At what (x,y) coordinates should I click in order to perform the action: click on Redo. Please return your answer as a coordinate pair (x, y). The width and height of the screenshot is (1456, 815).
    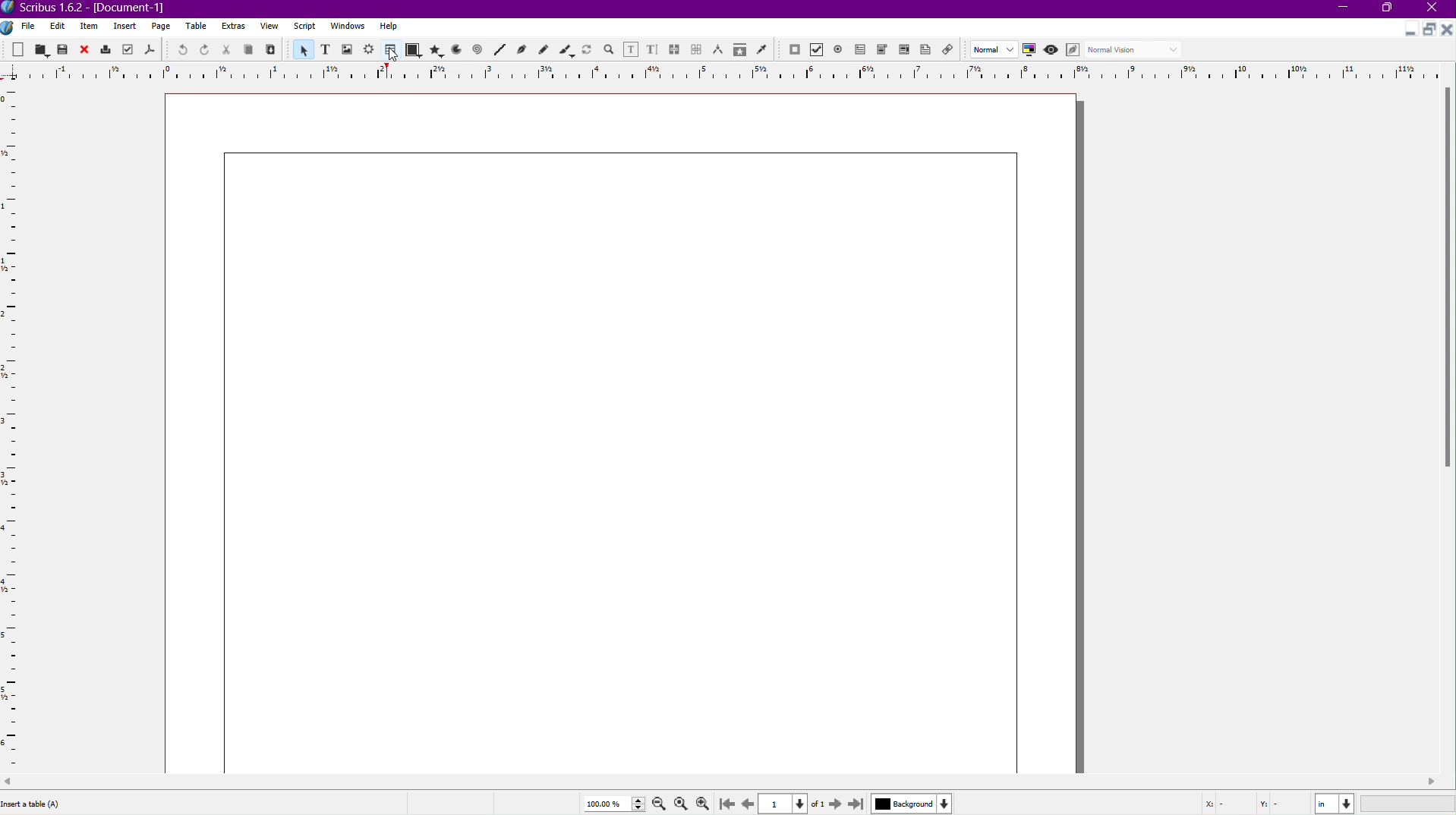
    Looking at the image, I should click on (205, 50).